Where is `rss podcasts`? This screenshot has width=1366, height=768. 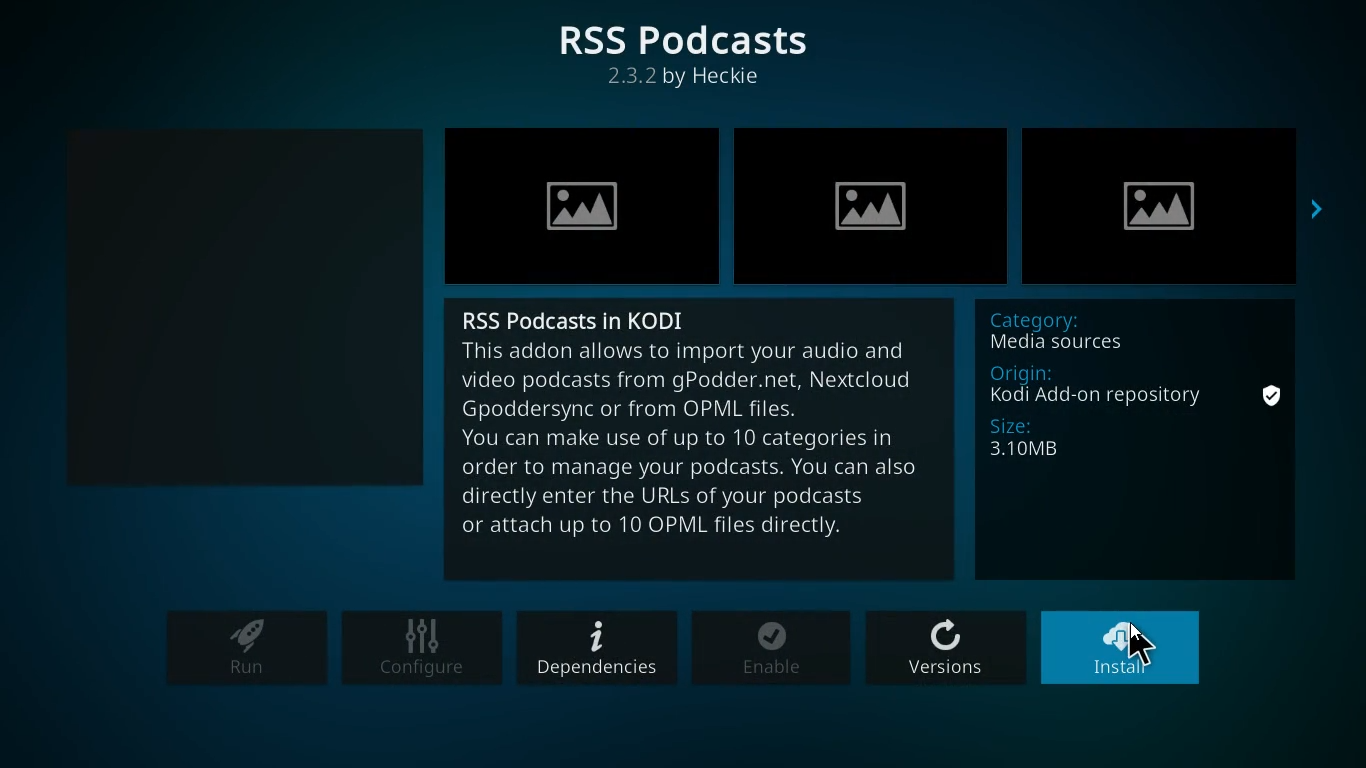 rss podcasts is located at coordinates (689, 39).